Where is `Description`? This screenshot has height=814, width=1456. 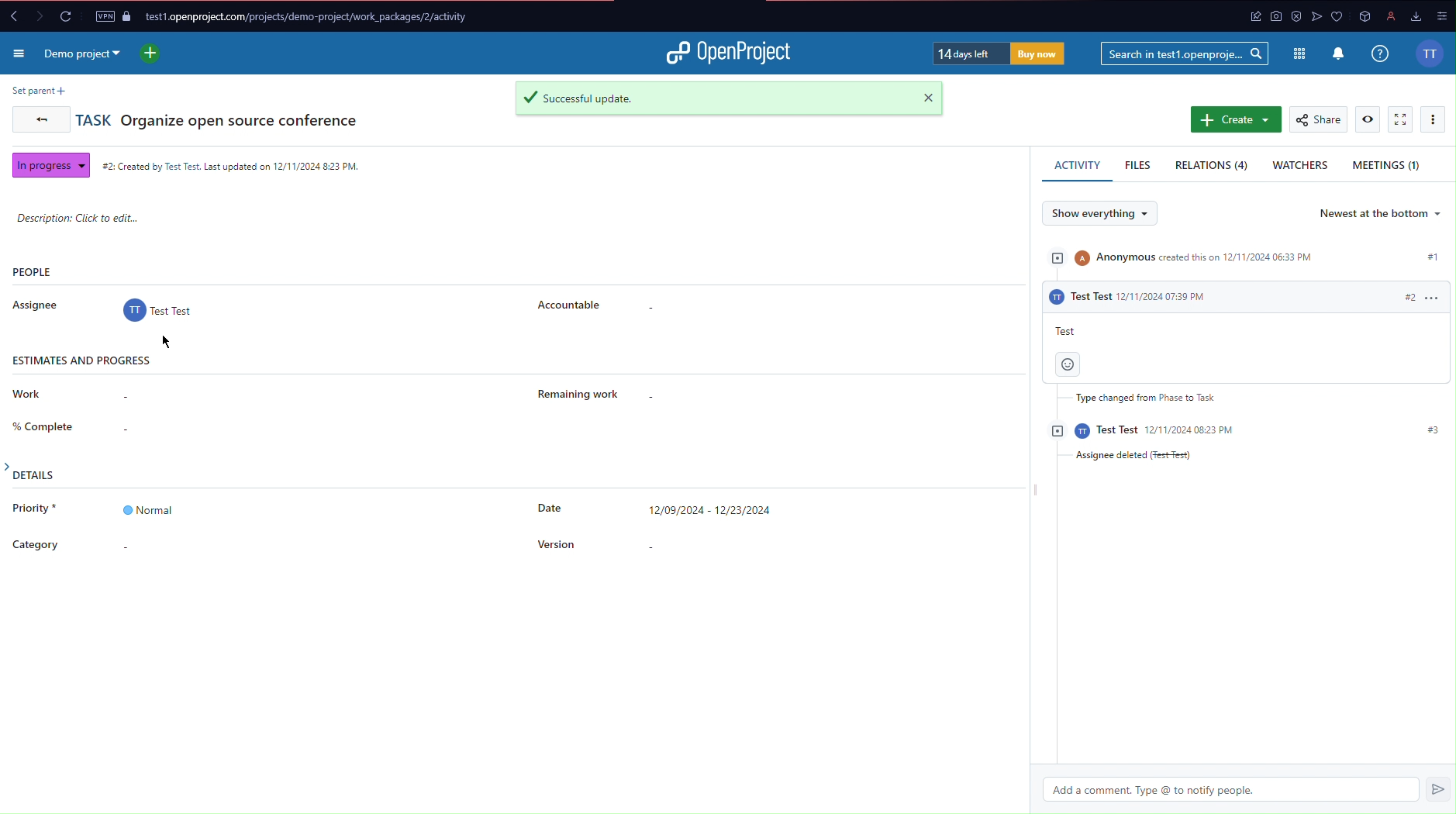
Description is located at coordinates (79, 217).